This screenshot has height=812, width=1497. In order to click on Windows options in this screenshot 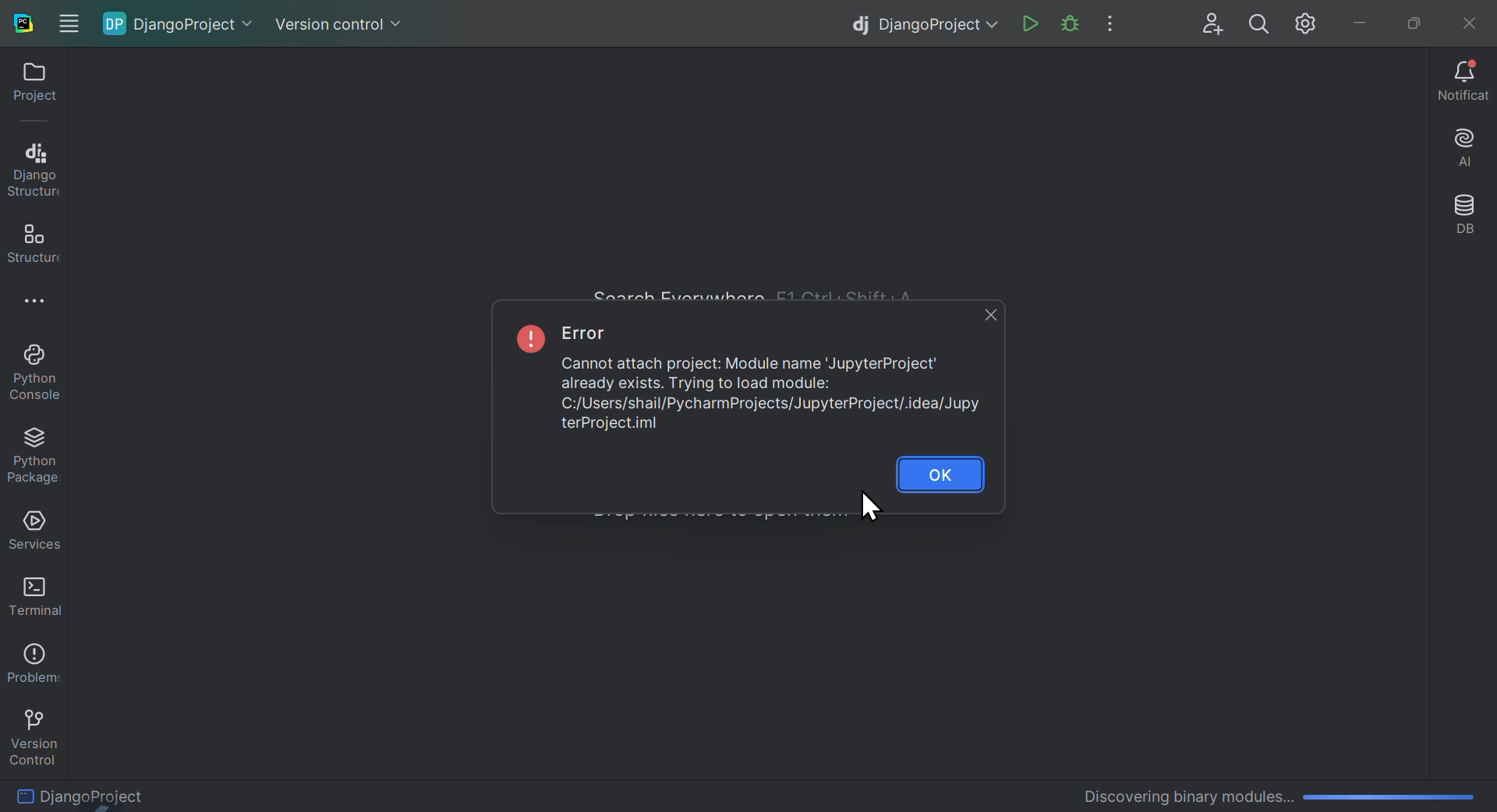, I will do `click(67, 19)`.